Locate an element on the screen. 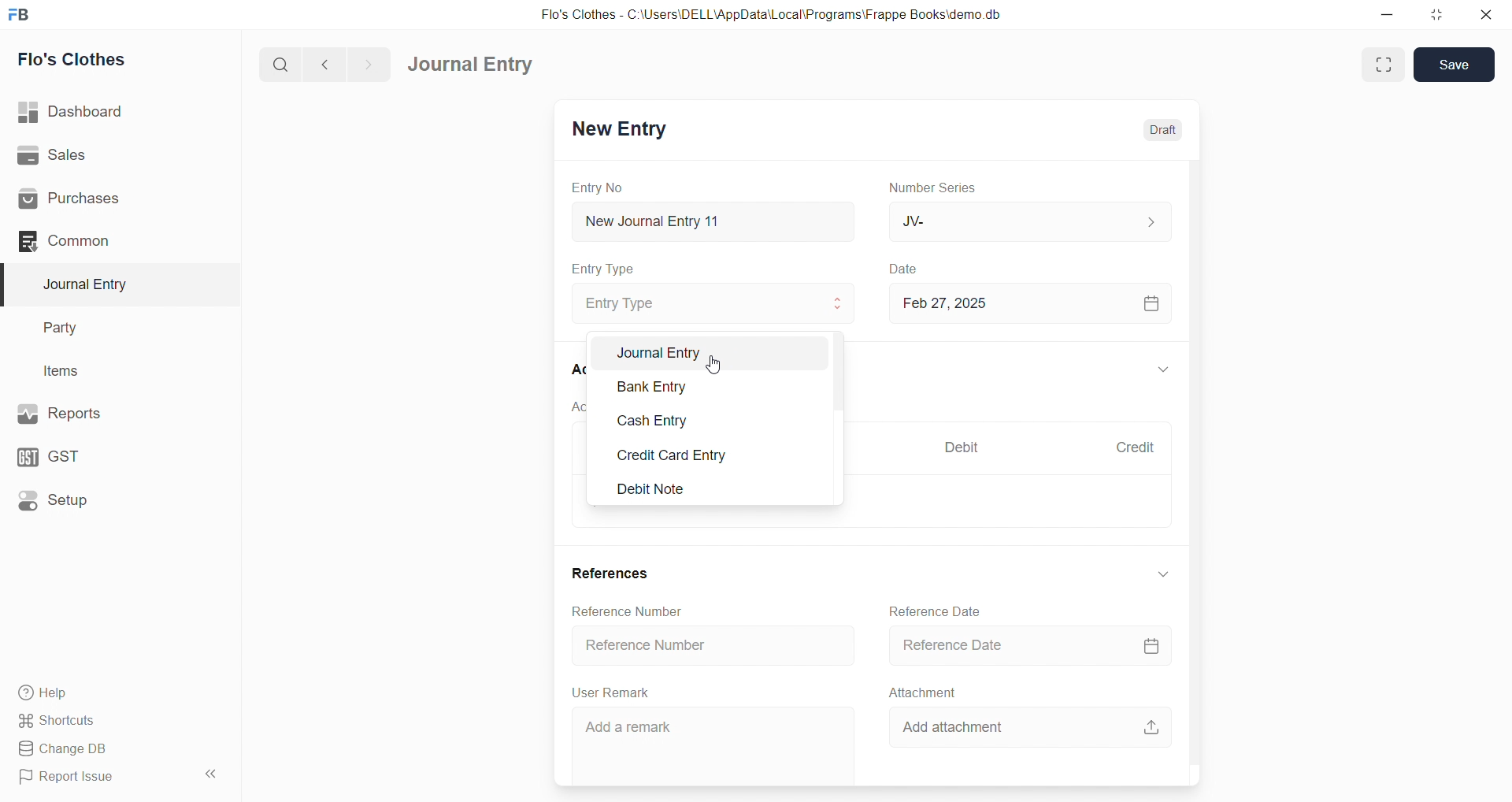 Image resolution: width=1512 pixels, height=802 pixels. Save is located at coordinates (1455, 65).